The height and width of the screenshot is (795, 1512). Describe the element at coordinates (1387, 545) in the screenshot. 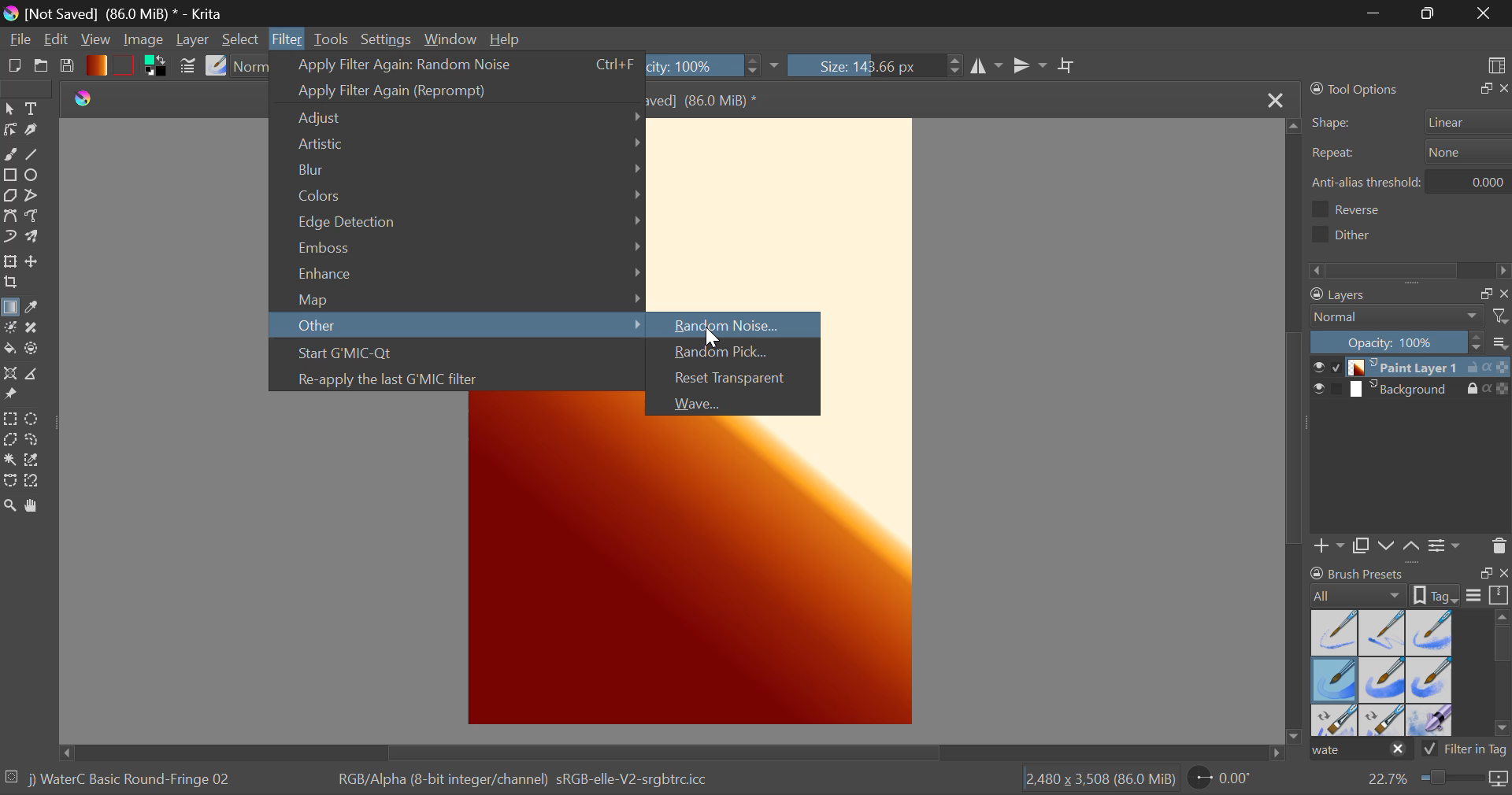

I see `move down` at that location.